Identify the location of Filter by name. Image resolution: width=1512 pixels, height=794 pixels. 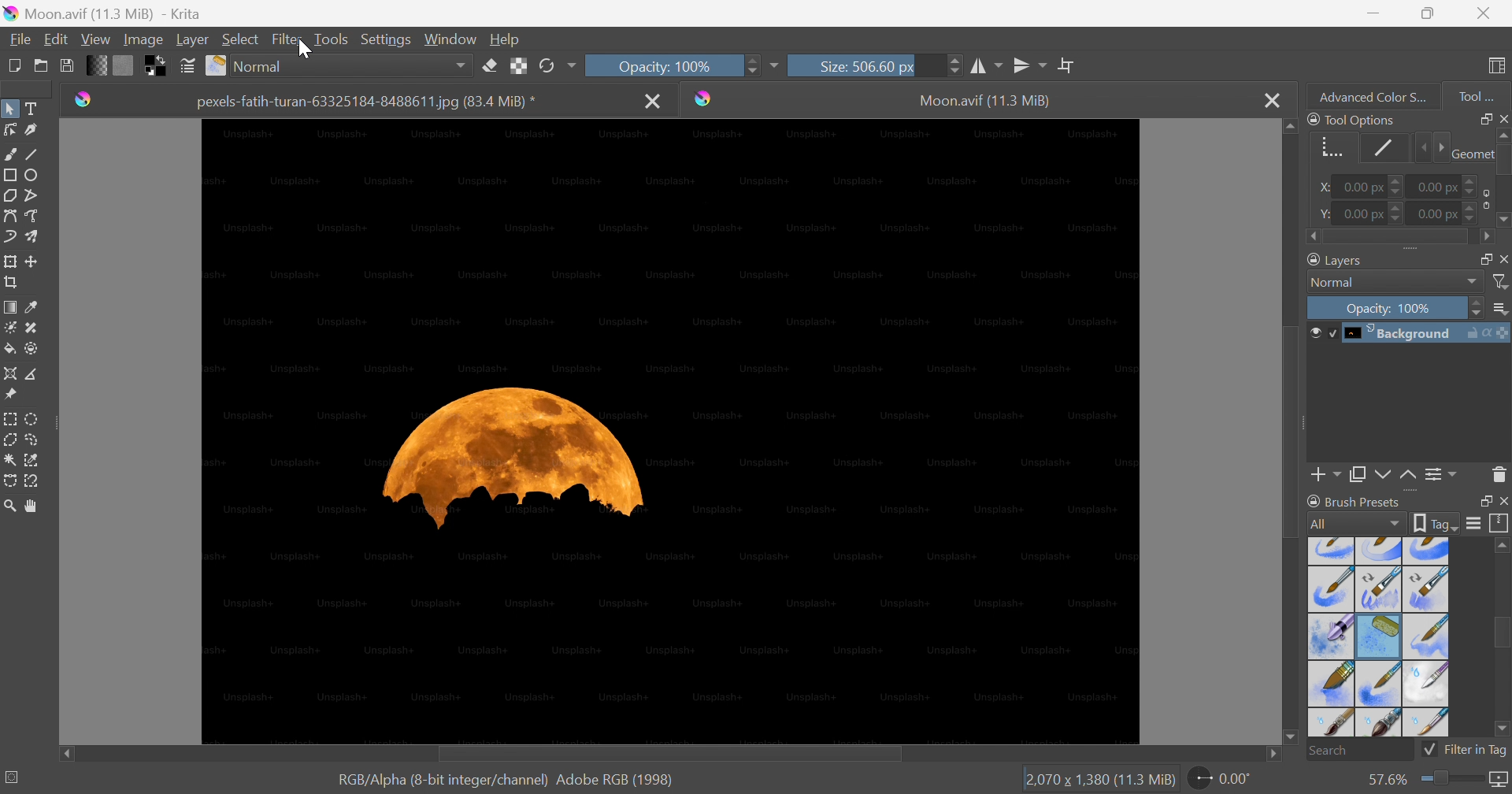
(1501, 280).